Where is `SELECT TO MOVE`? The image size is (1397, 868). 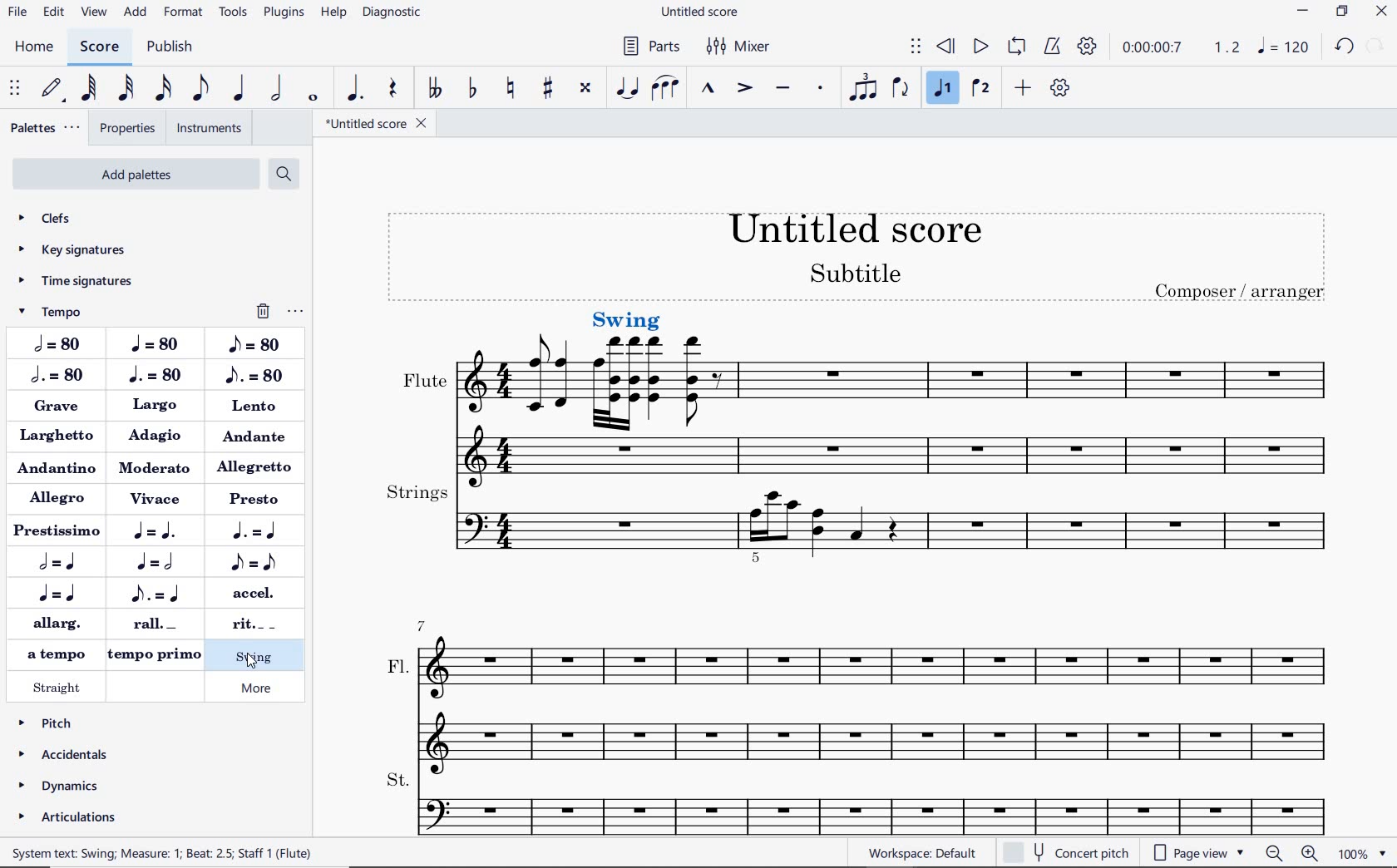
SELECT TO MOVE is located at coordinates (17, 89).